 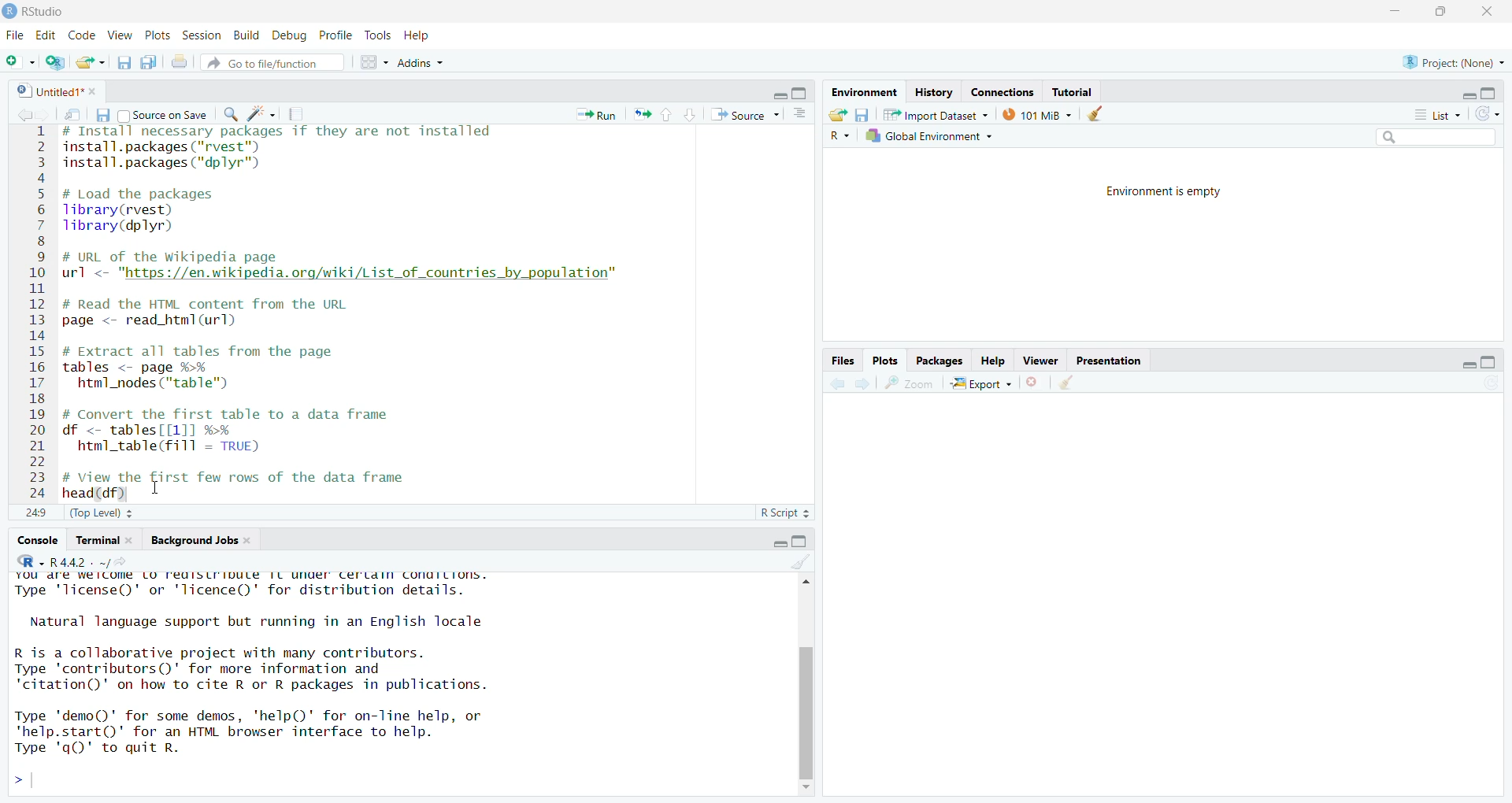 What do you see at coordinates (263, 671) in the screenshot?
I see `R is a collaborative project with many contributors.
Type 'contributors()' for more information and
"citation()' on how to cite R or R packages in publications.` at bounding box center [263, 671].